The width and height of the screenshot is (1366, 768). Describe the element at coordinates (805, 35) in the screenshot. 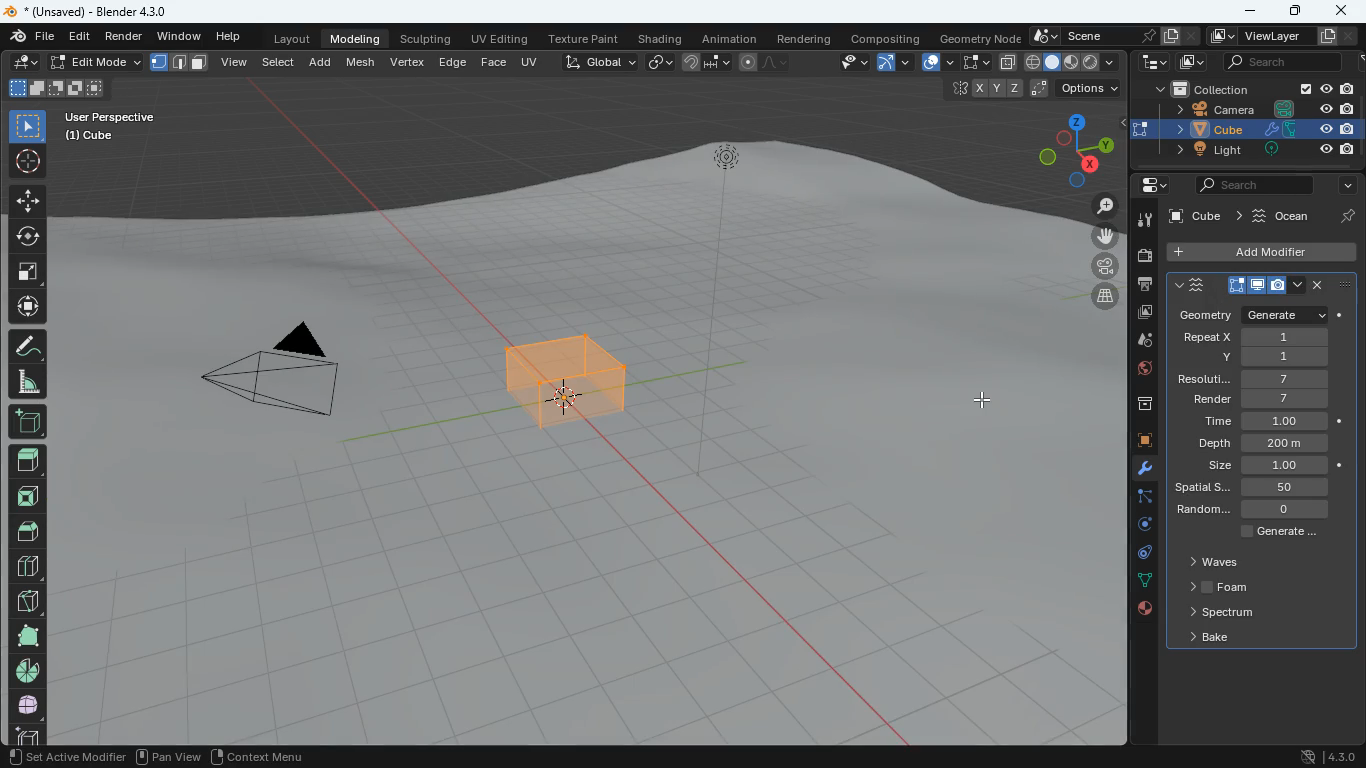

I see `rendering` at that location.